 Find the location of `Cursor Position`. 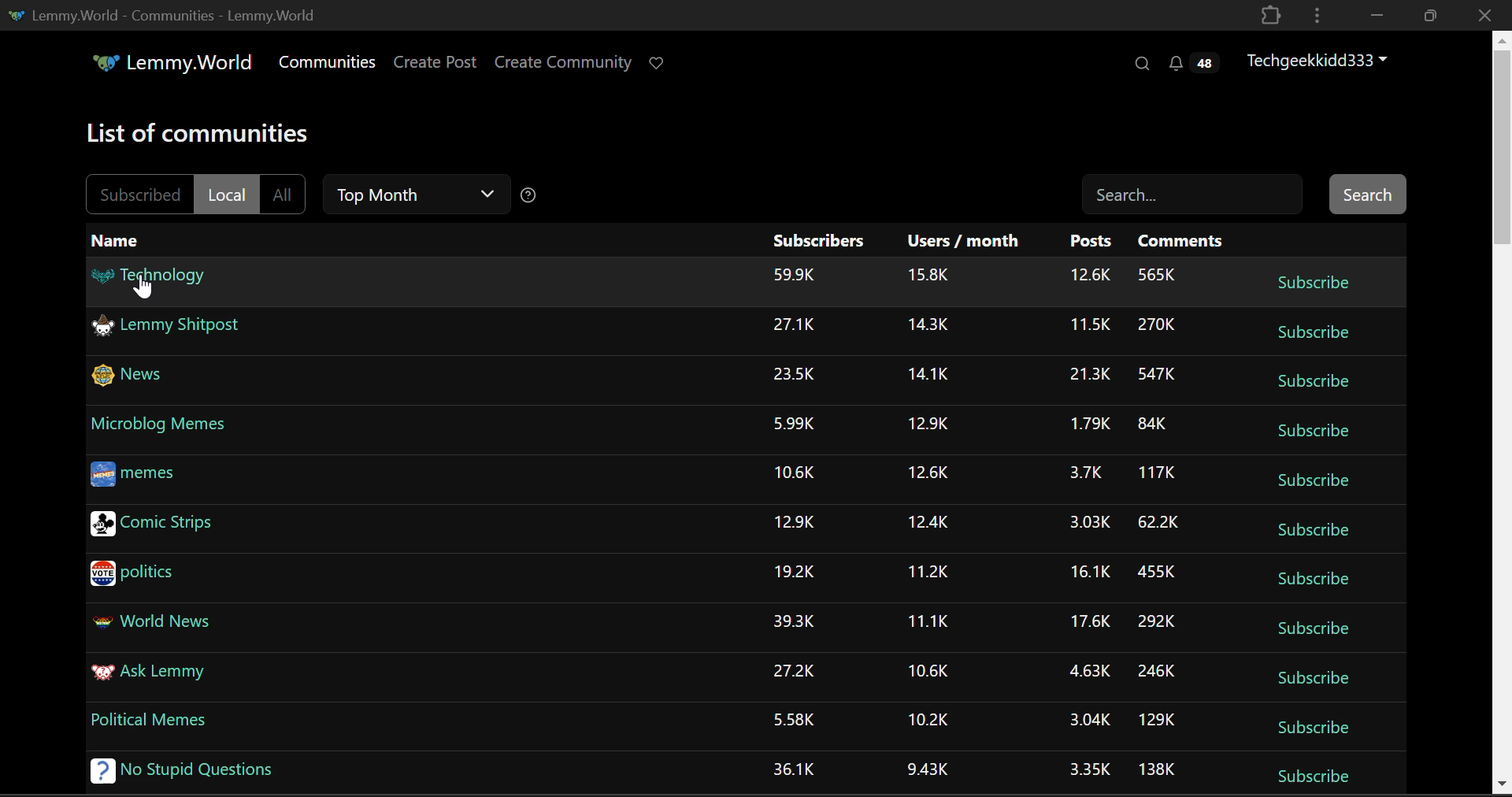

Cursor Position is located at coordinates (143, 288).